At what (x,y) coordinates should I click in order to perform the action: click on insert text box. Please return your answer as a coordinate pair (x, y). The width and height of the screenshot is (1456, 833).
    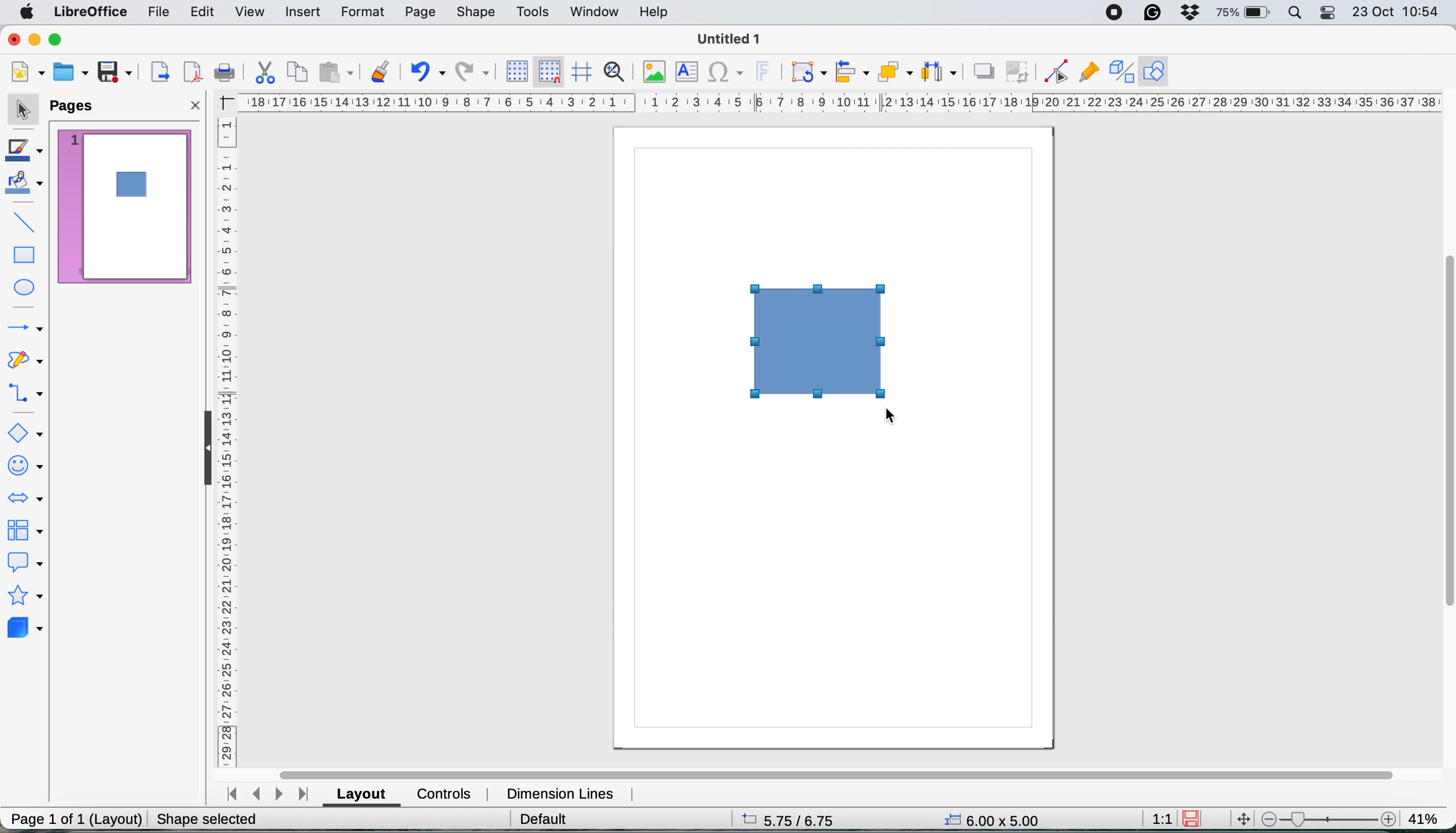
    Looking at the image, I should click on (689, 72).